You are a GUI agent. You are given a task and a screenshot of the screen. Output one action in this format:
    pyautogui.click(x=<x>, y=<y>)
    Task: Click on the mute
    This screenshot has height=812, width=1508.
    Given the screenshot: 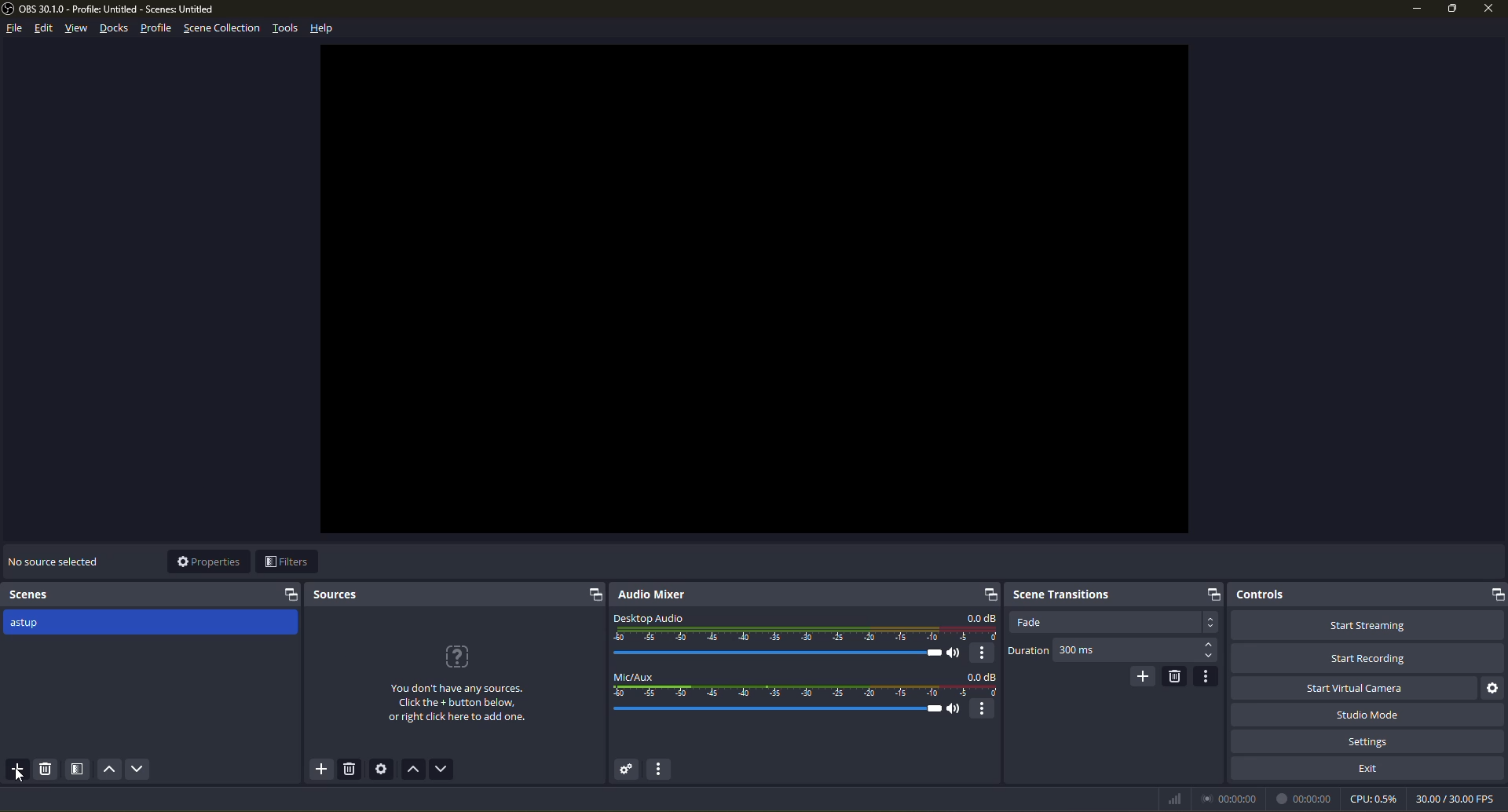 What is the action you would take?
    pyautogui.click(x=953, y=653)
    